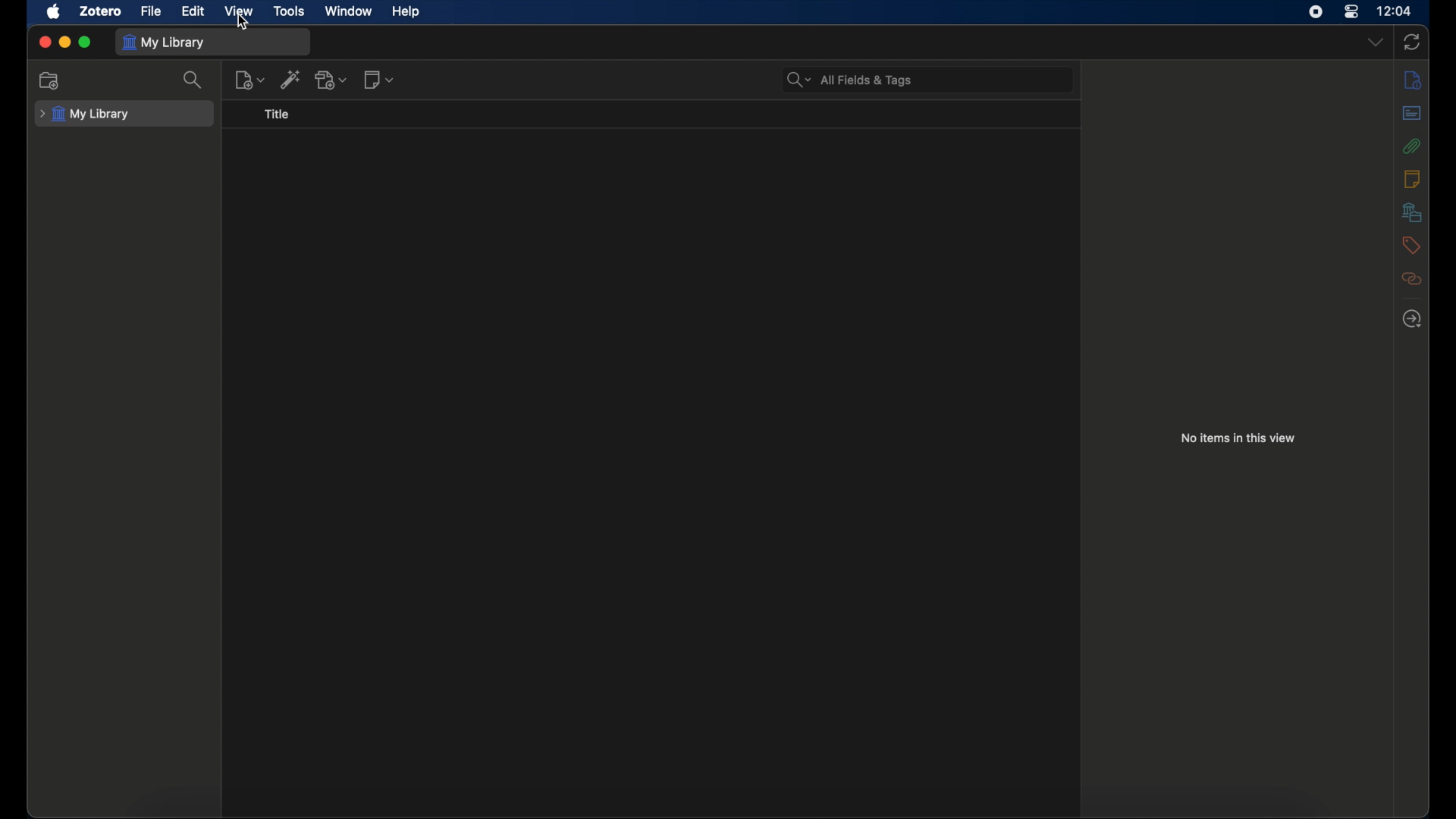 The image size is (1456, 819). I want to click on title, so click(276, 115).